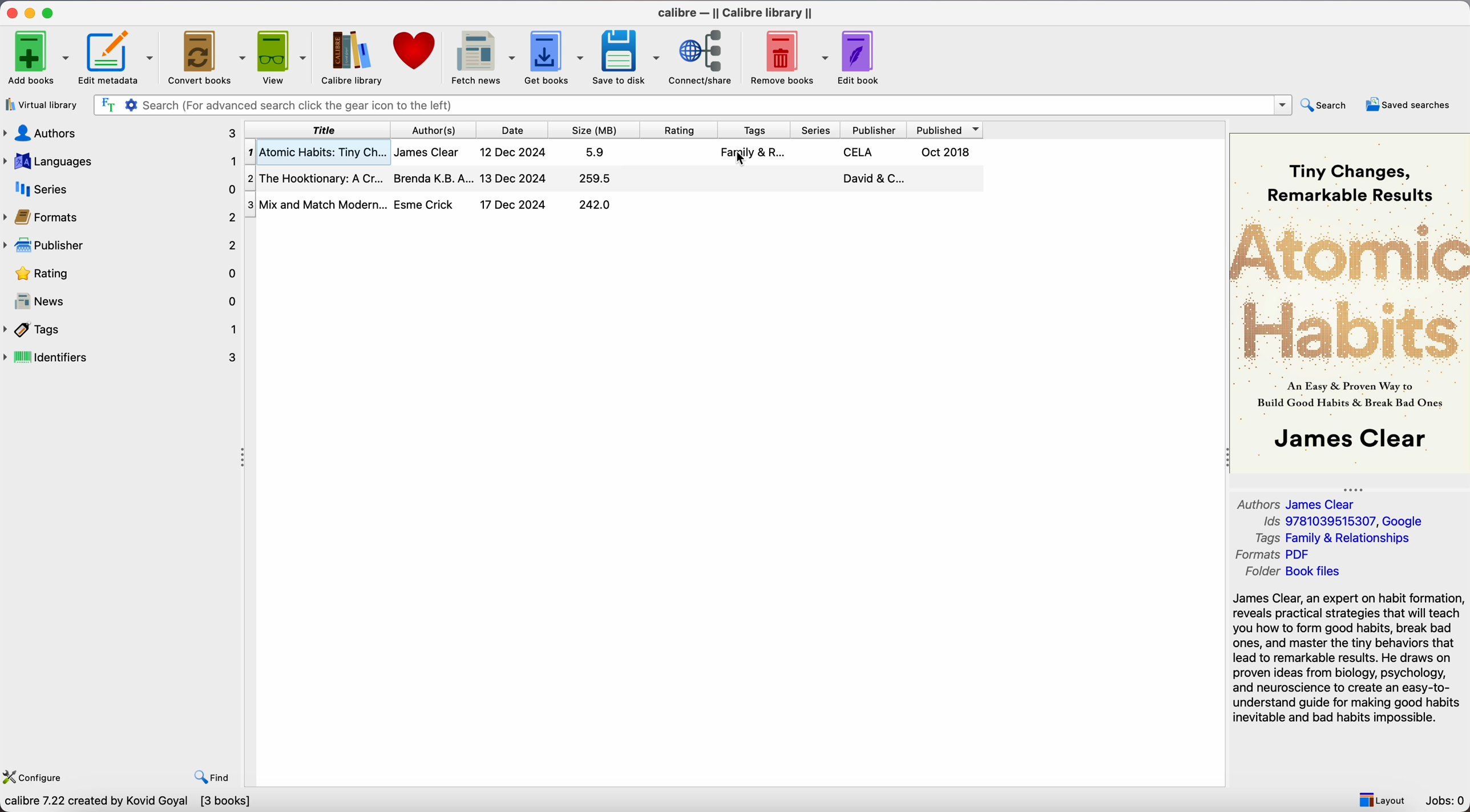 This screenshot has height=812, width=1470. Describe the element at coordinates (516, 130) in the screenshot. I see `date` at that location.